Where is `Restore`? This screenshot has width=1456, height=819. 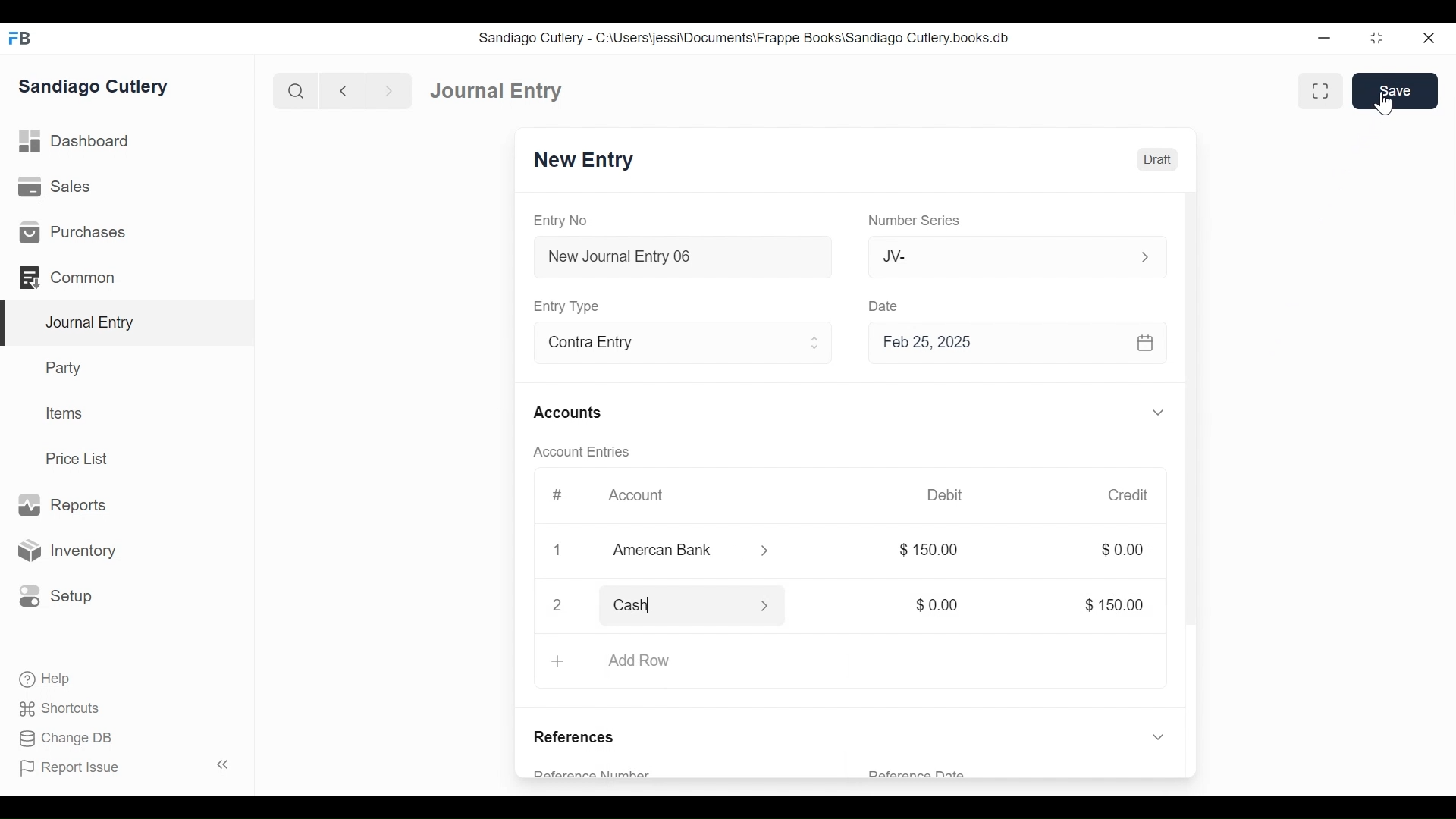
Restore is located at coordinates (1379, 37).